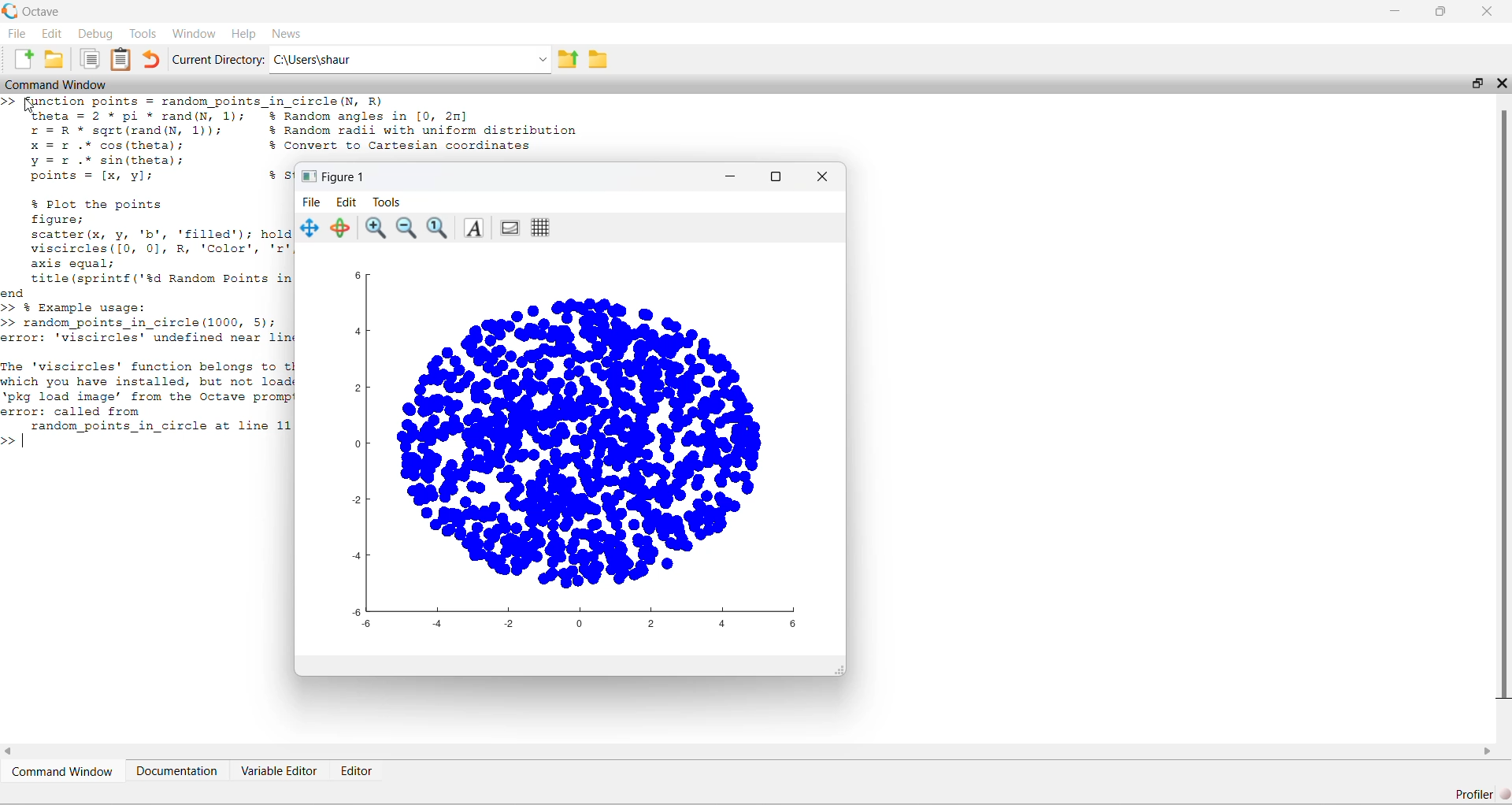 Image resolution: width=1512 pixels, height=805 pixels. What do you see at coordinates (1488, 10) in the screenshot?
I see `close` at bounding box center [1488, 10].